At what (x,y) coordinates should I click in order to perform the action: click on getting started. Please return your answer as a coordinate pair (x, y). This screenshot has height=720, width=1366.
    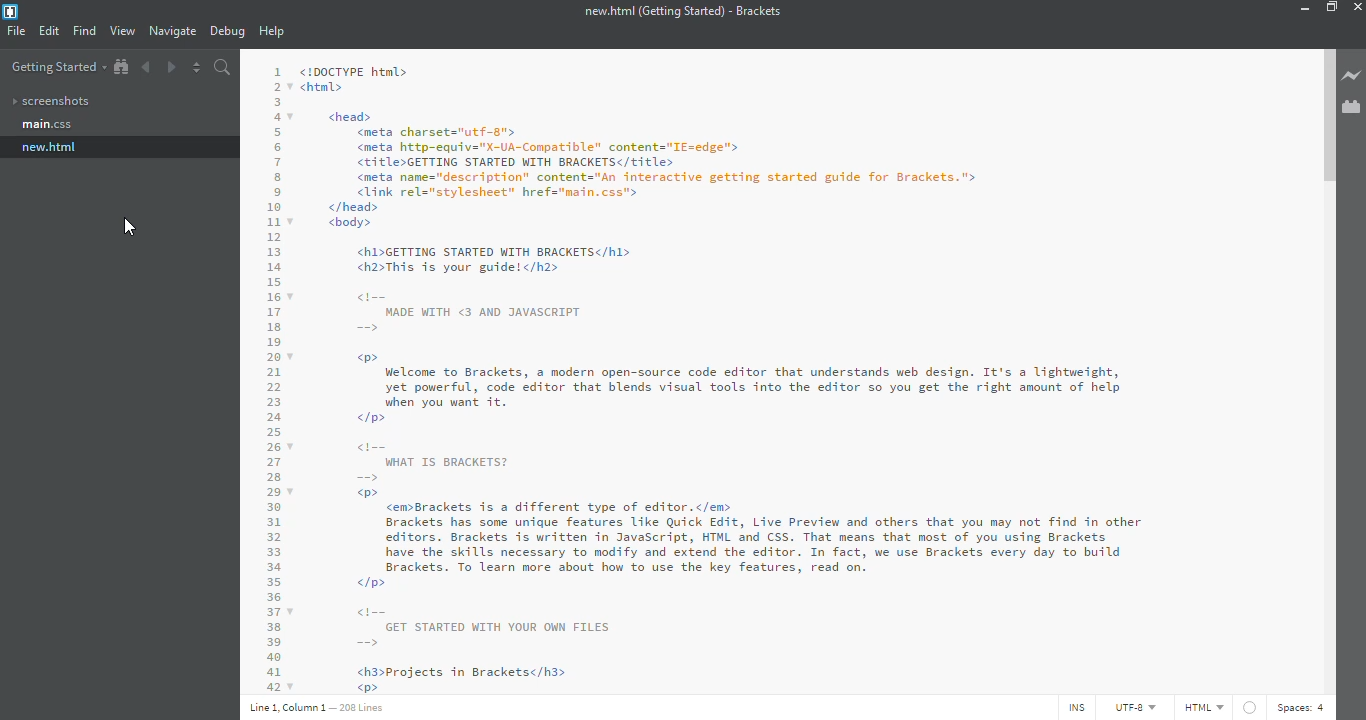
    Looking at the image, I should click on (57, 68).